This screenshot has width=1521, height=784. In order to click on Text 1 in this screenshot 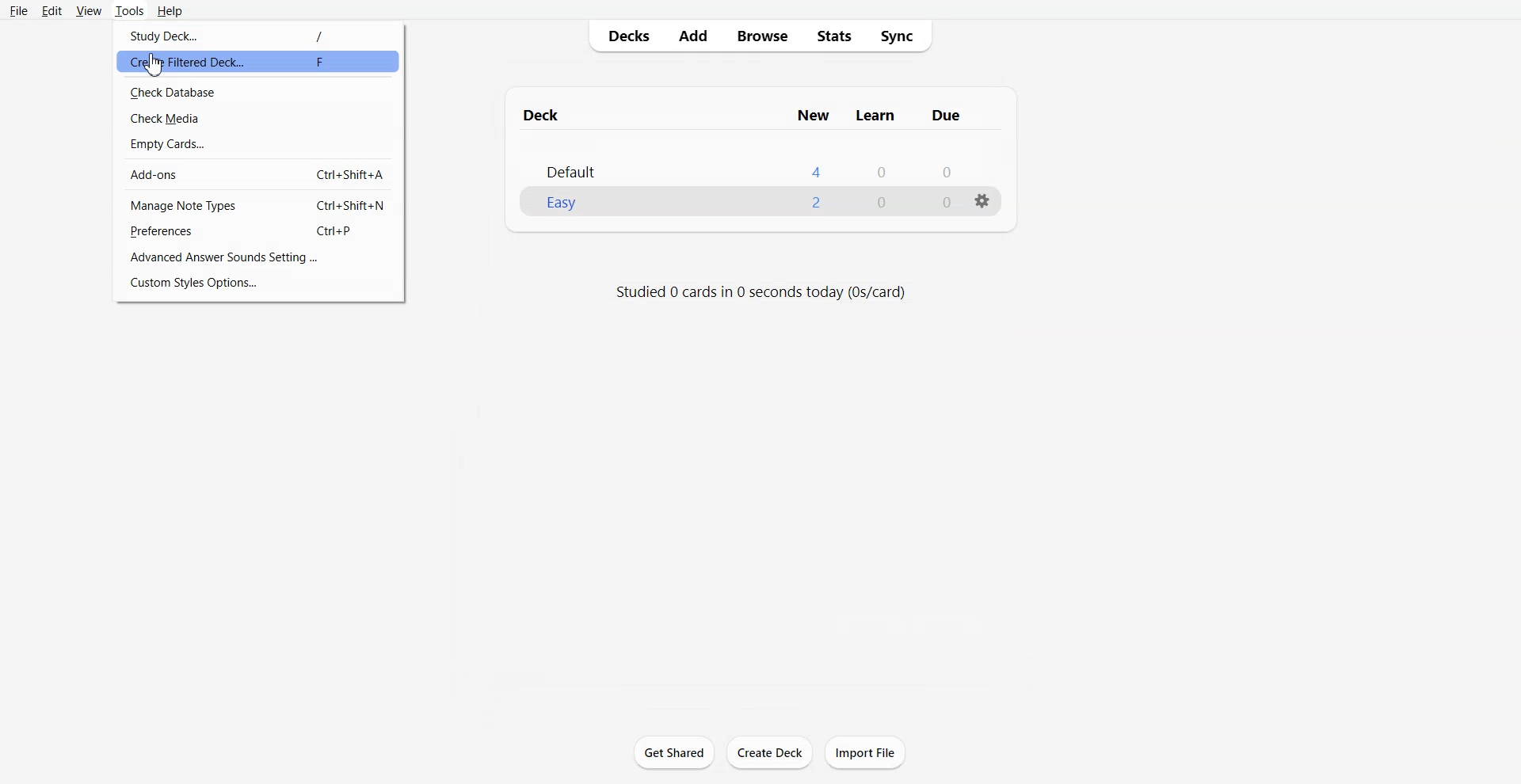, I will do `click(740, 113)`.